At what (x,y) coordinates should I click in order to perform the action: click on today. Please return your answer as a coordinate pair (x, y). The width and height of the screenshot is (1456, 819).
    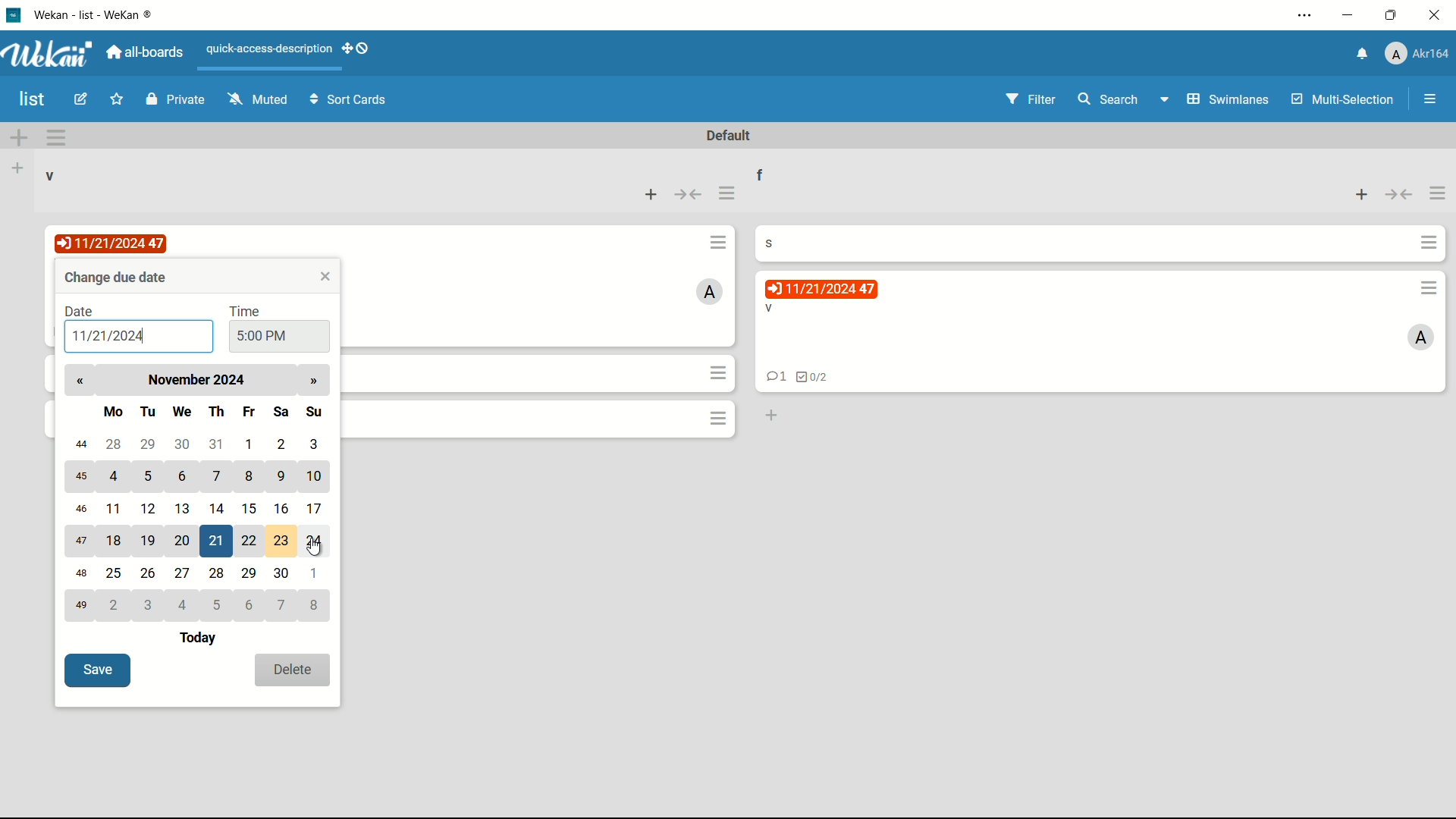
    Looking at the image, I should click on (201, 639).